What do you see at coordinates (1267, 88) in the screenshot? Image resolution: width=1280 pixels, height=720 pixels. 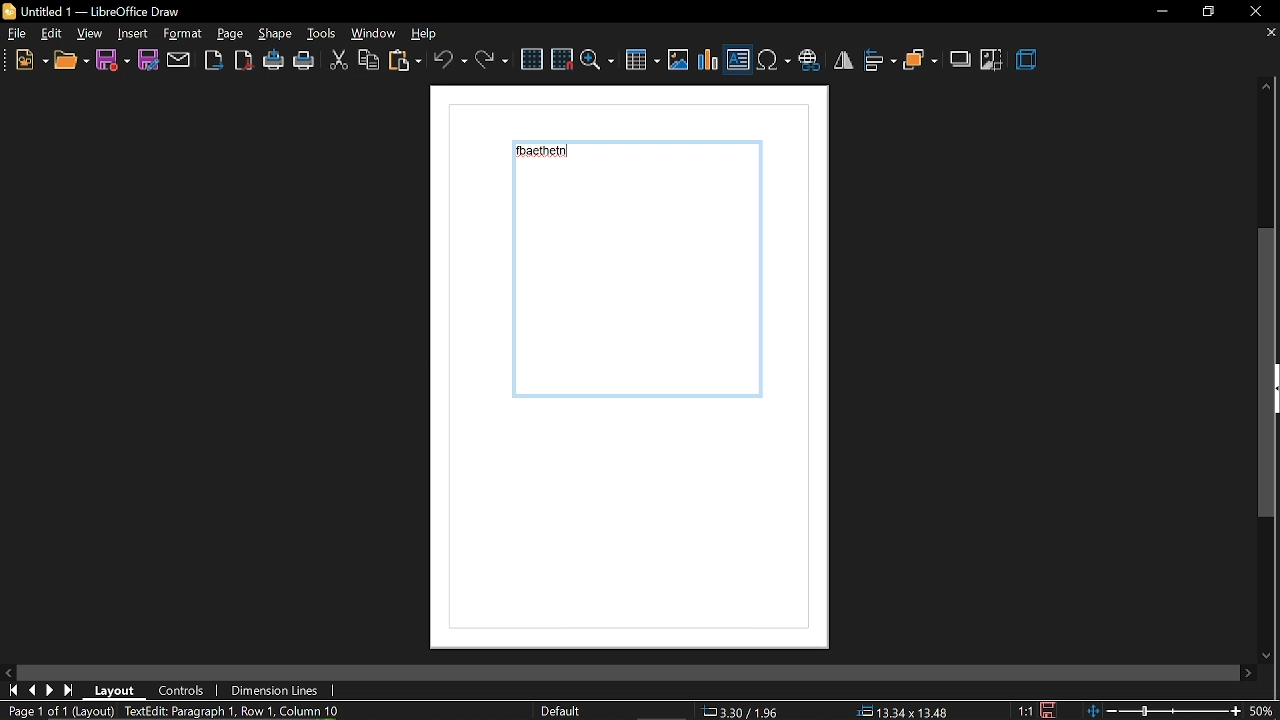 I see `move up` at bounding box center [1267, 88].